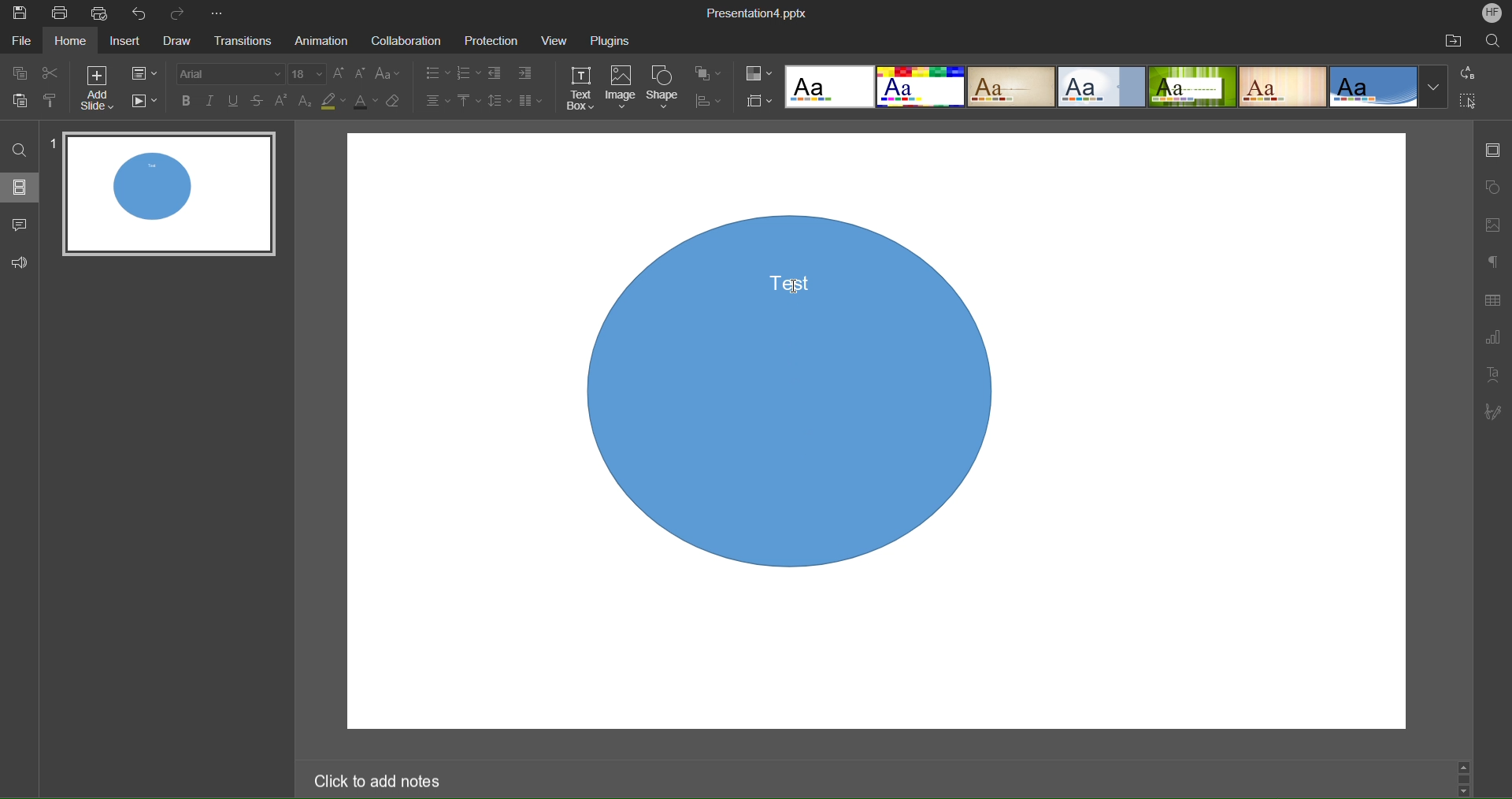 The width and height of the screenshot is (1512, 799). I want to click on Lists, so click(433, 72).